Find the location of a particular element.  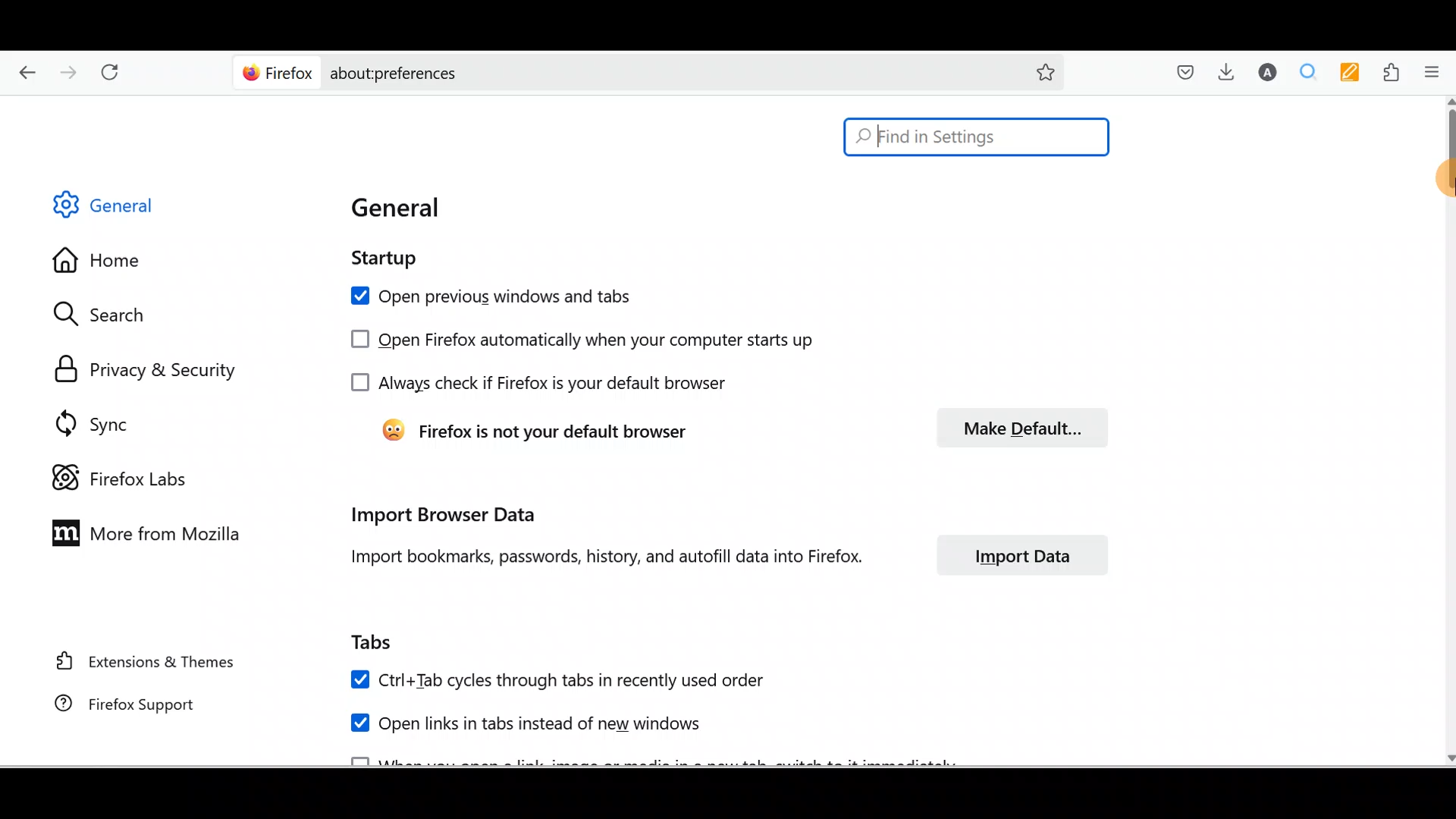

Open links in tabs instead of new windows is located at coordinates (538, 727).